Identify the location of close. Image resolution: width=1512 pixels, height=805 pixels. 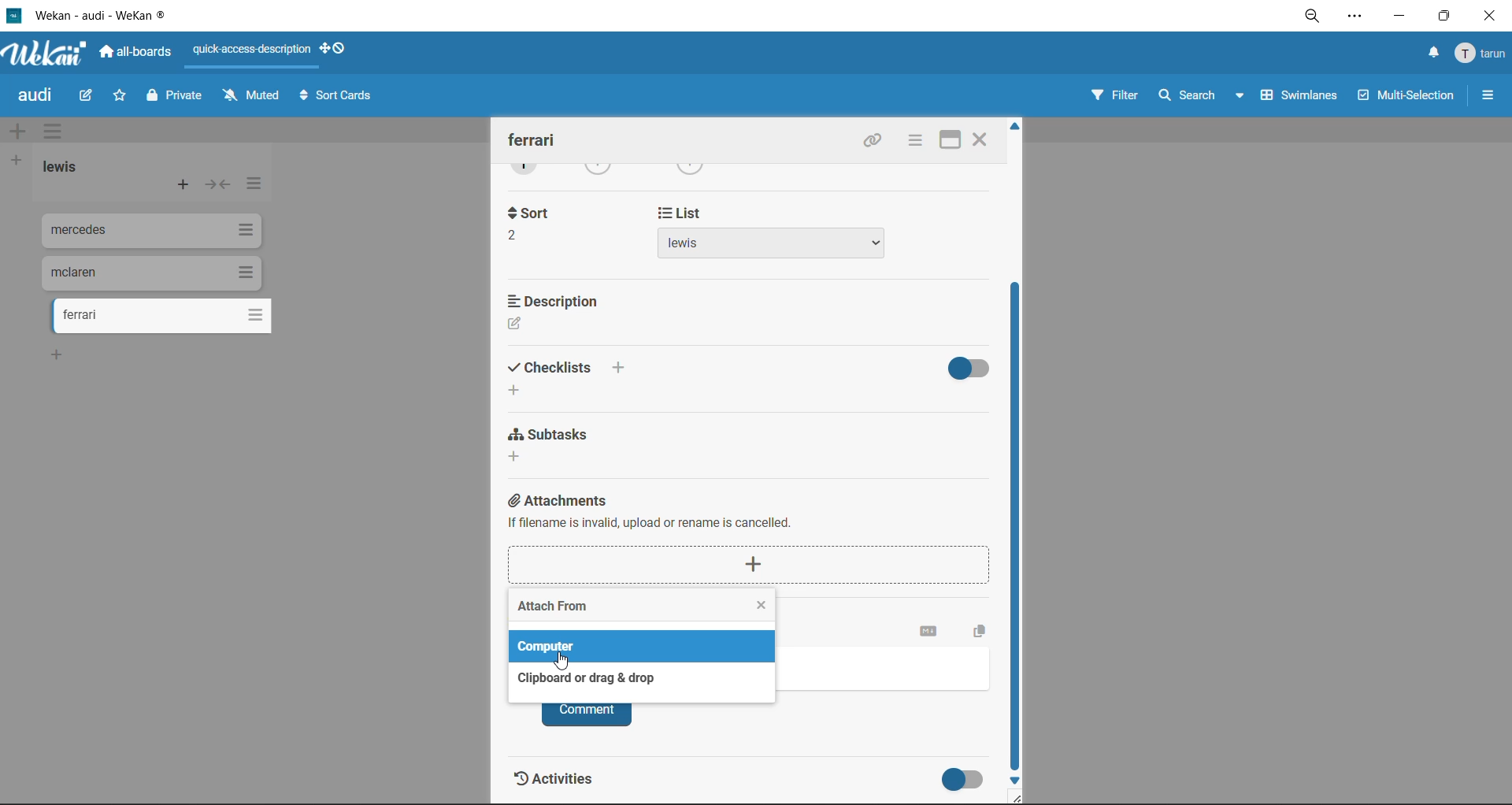
(979, 142).